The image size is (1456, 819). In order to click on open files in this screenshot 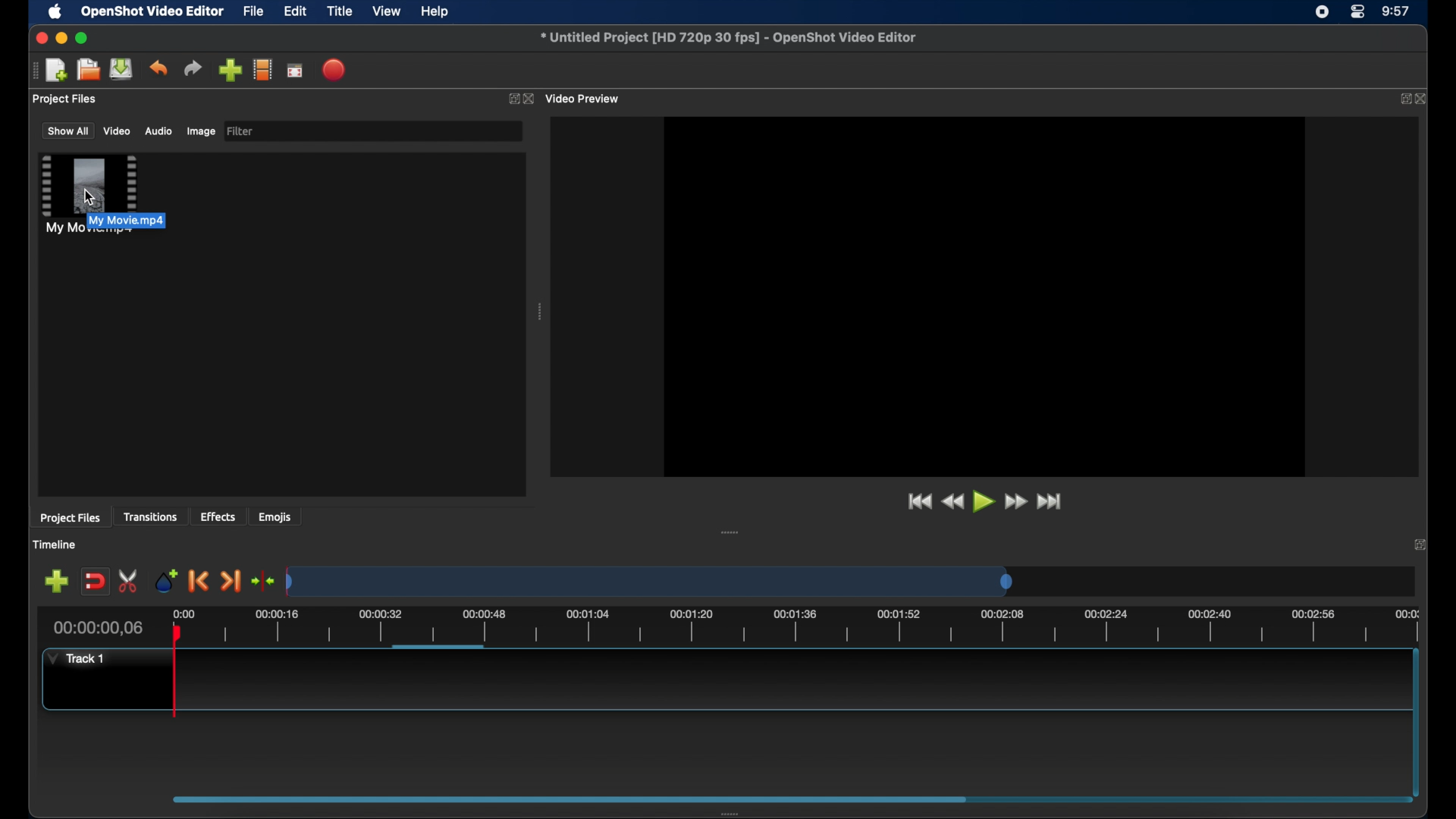, I will do `click(89, 71)`.